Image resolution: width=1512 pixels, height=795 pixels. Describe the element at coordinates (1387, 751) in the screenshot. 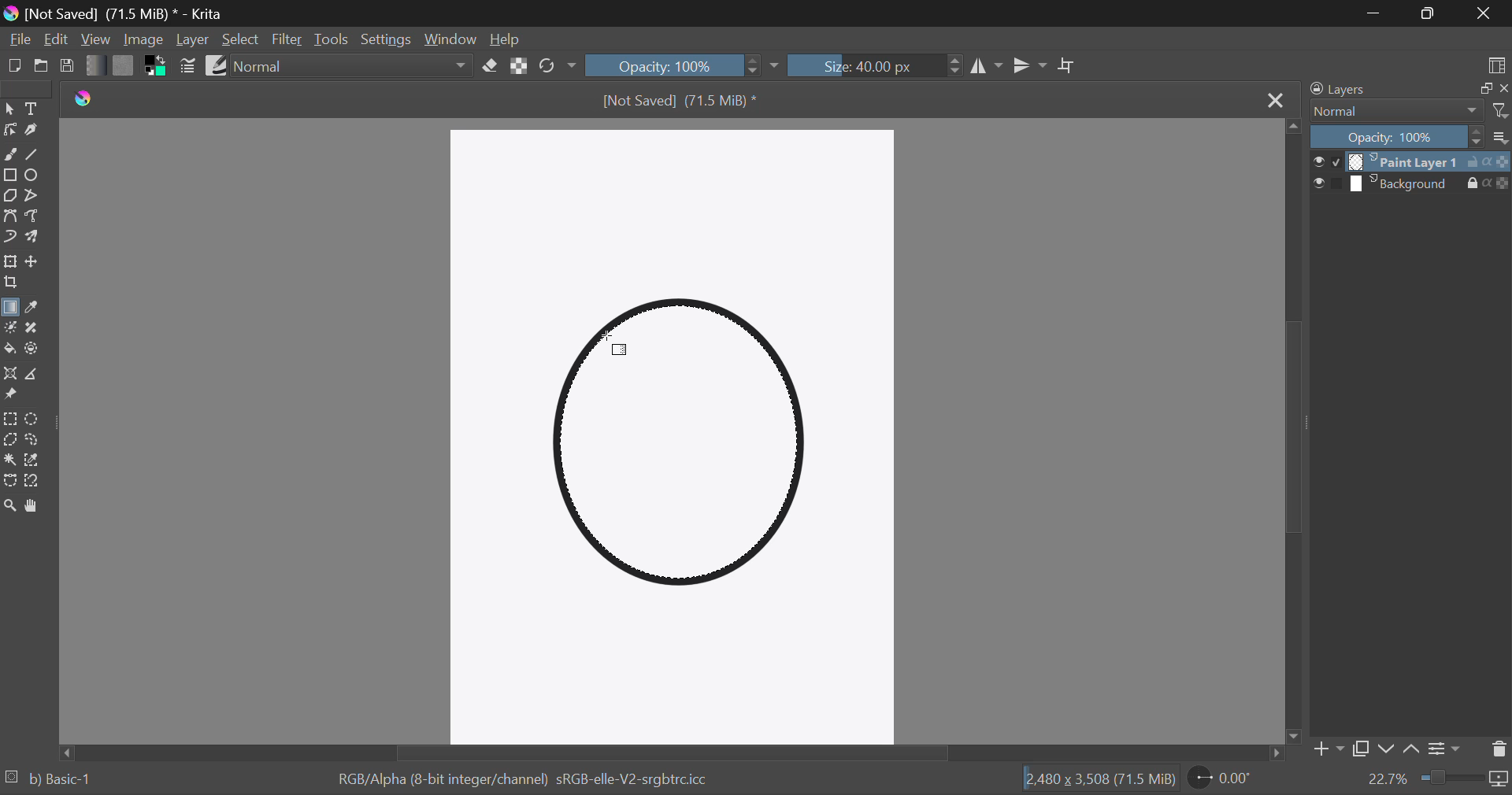

I see `Move layer down` at that location.